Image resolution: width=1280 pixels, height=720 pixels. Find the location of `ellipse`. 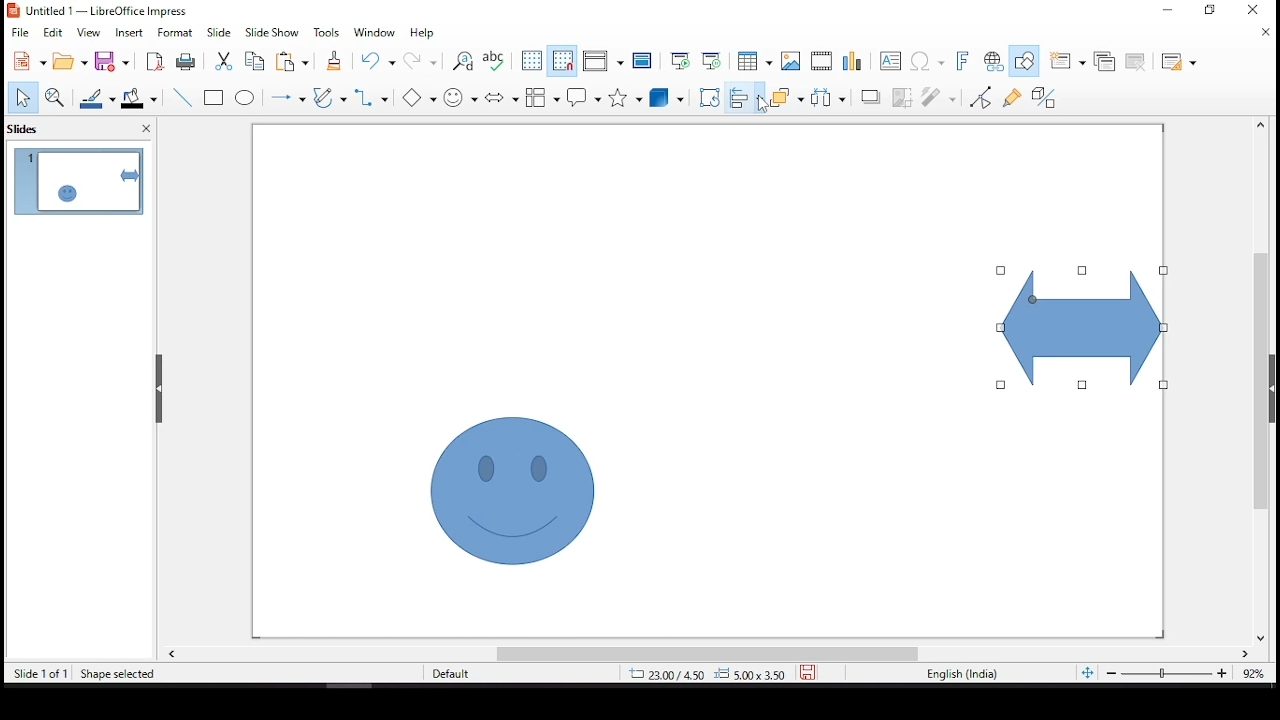

ellipse is located at coordinates (245, 98).